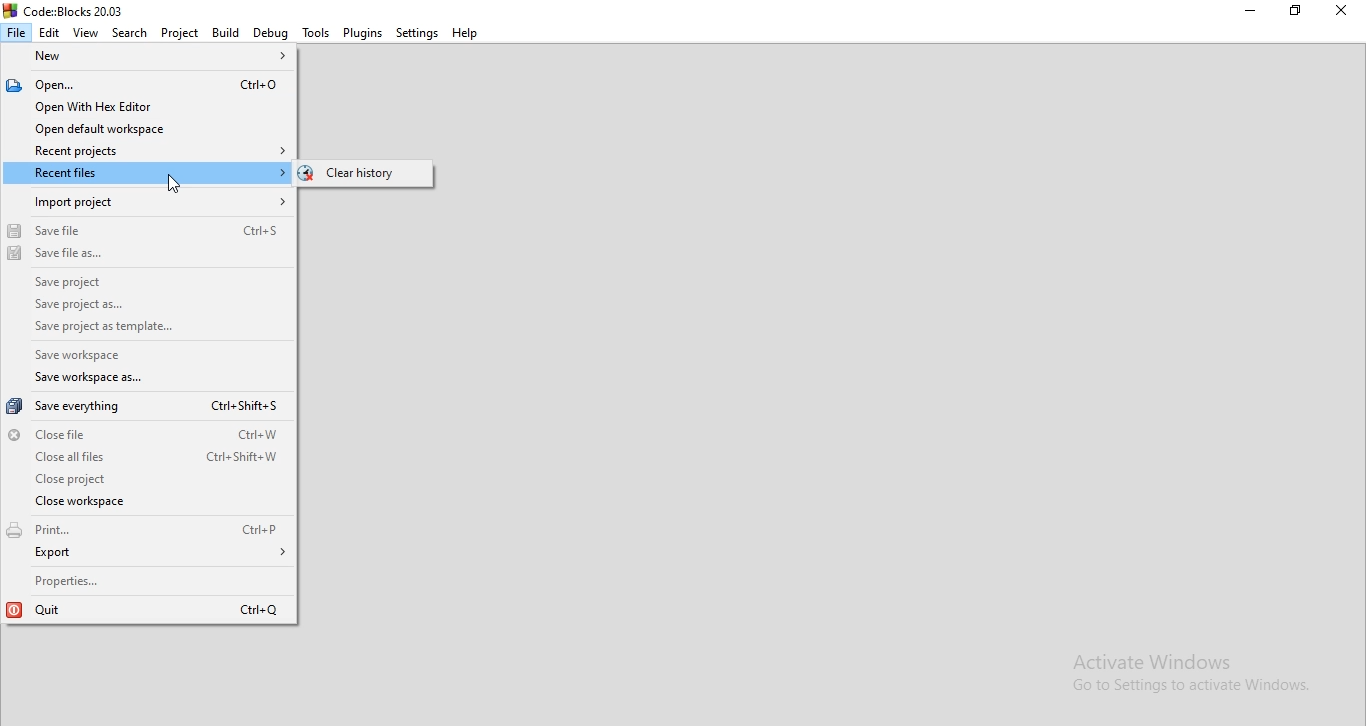  Describe the element at coordinates (141, 108) in the screenshot. I see `Open with Hex Editor` at that location.